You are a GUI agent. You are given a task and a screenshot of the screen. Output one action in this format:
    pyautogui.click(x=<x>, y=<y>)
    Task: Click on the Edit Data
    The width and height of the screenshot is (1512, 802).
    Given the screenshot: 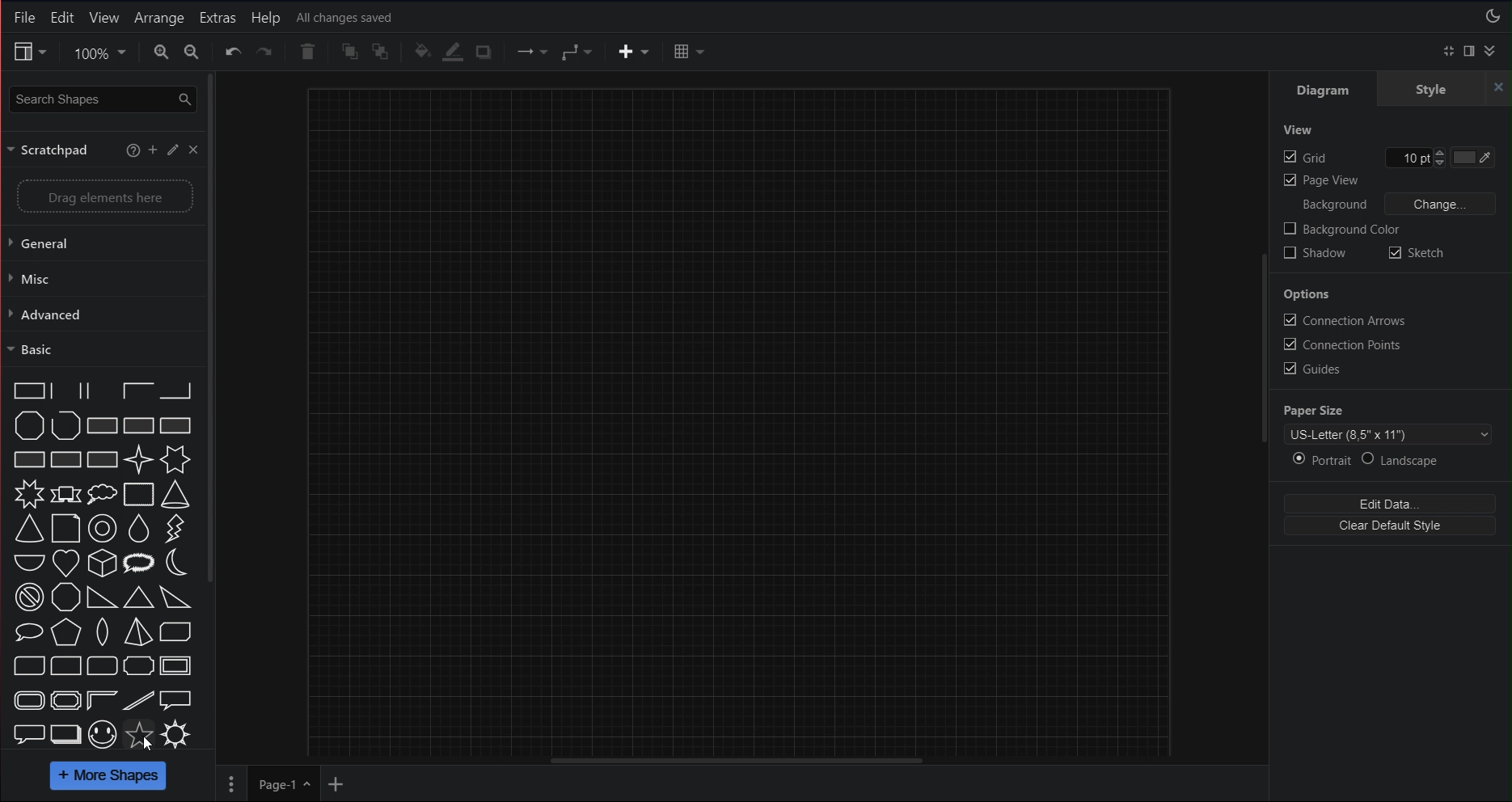 What is the action you would take?
    pyautogui.click(x=1389, y=502)
    